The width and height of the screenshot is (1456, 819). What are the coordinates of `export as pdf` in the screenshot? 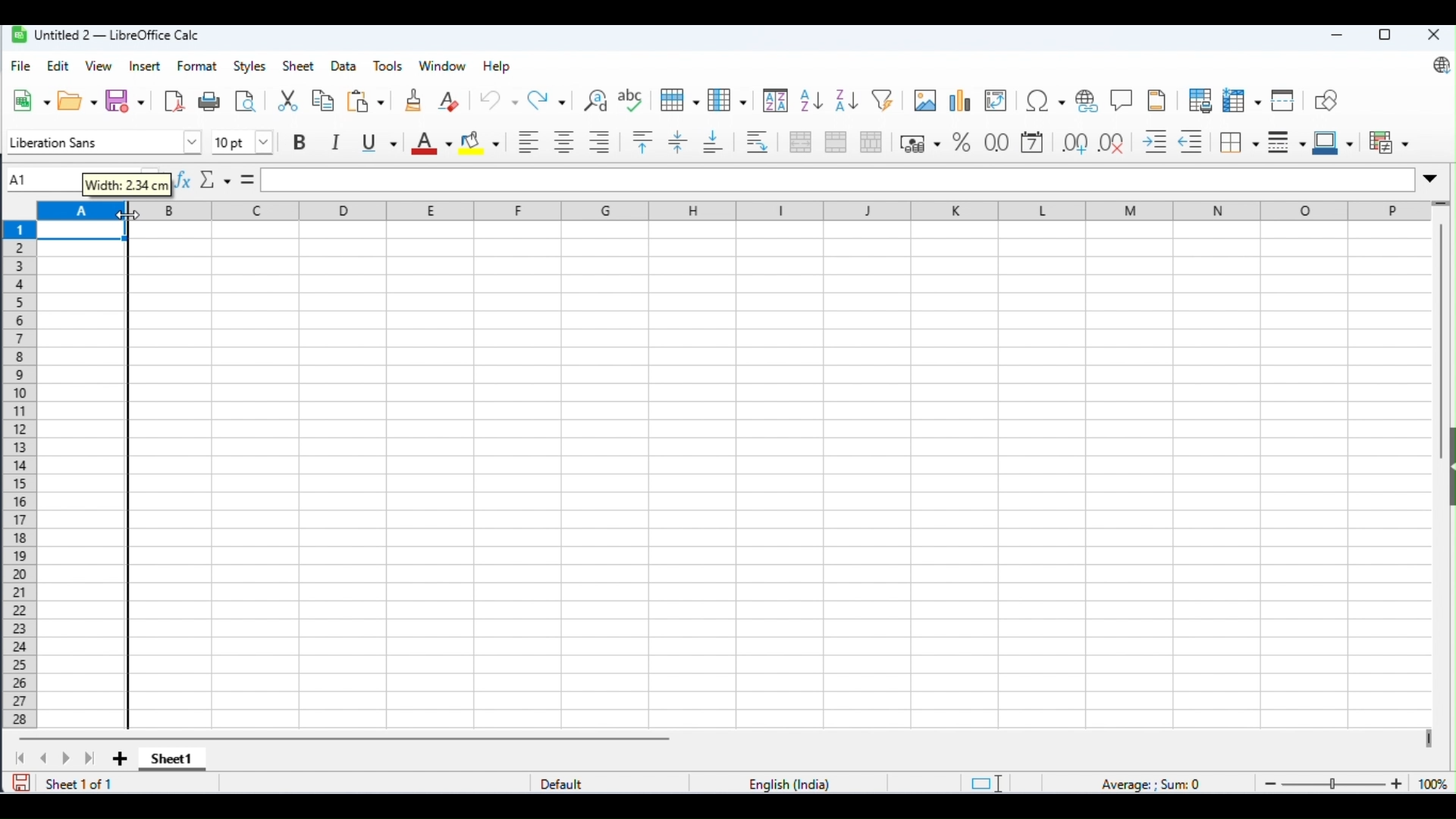 It's located at (174, 99).